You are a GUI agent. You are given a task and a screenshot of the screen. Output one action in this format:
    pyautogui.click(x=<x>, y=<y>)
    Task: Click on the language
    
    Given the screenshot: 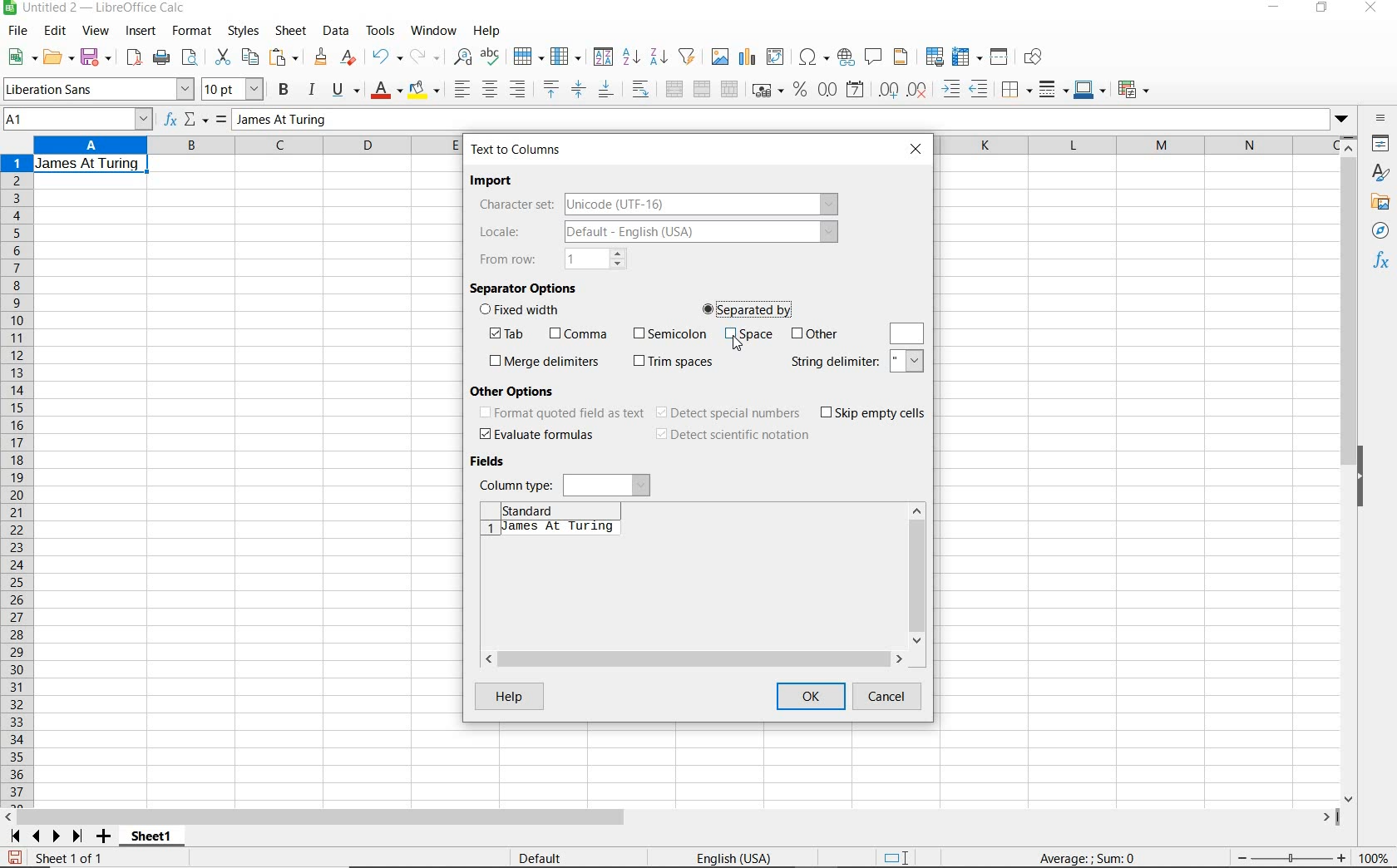 What is the action you would take?
    pyautogui.click(x=733, y=857)
    